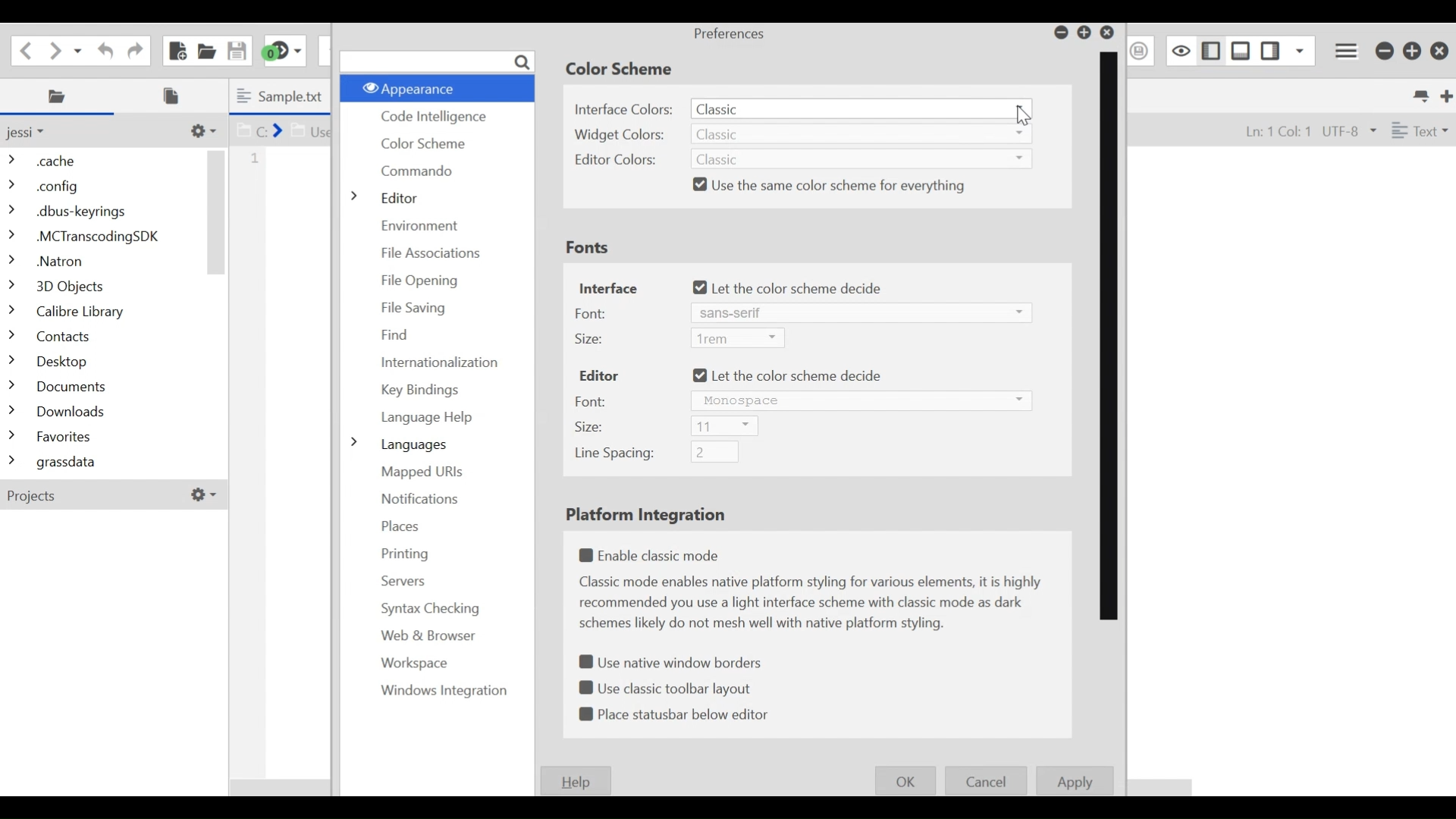 This screenshot has width=1456, height=819. What do you see at coordinates (814, 604) in the screenshot?
I see `text` at bounding box center [814, 604].